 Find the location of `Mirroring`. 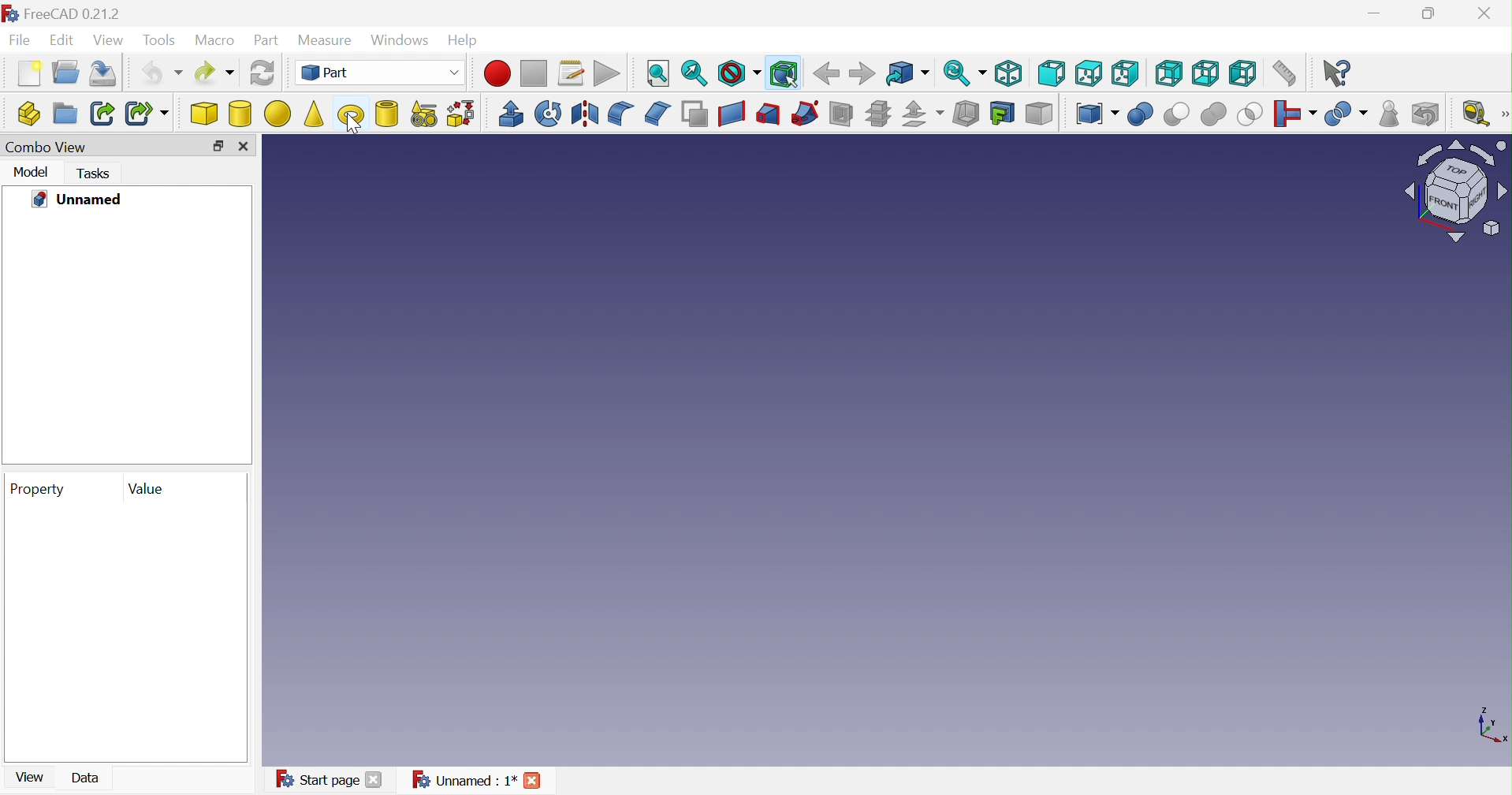

Mirroring is located at coordinates (548, 114).